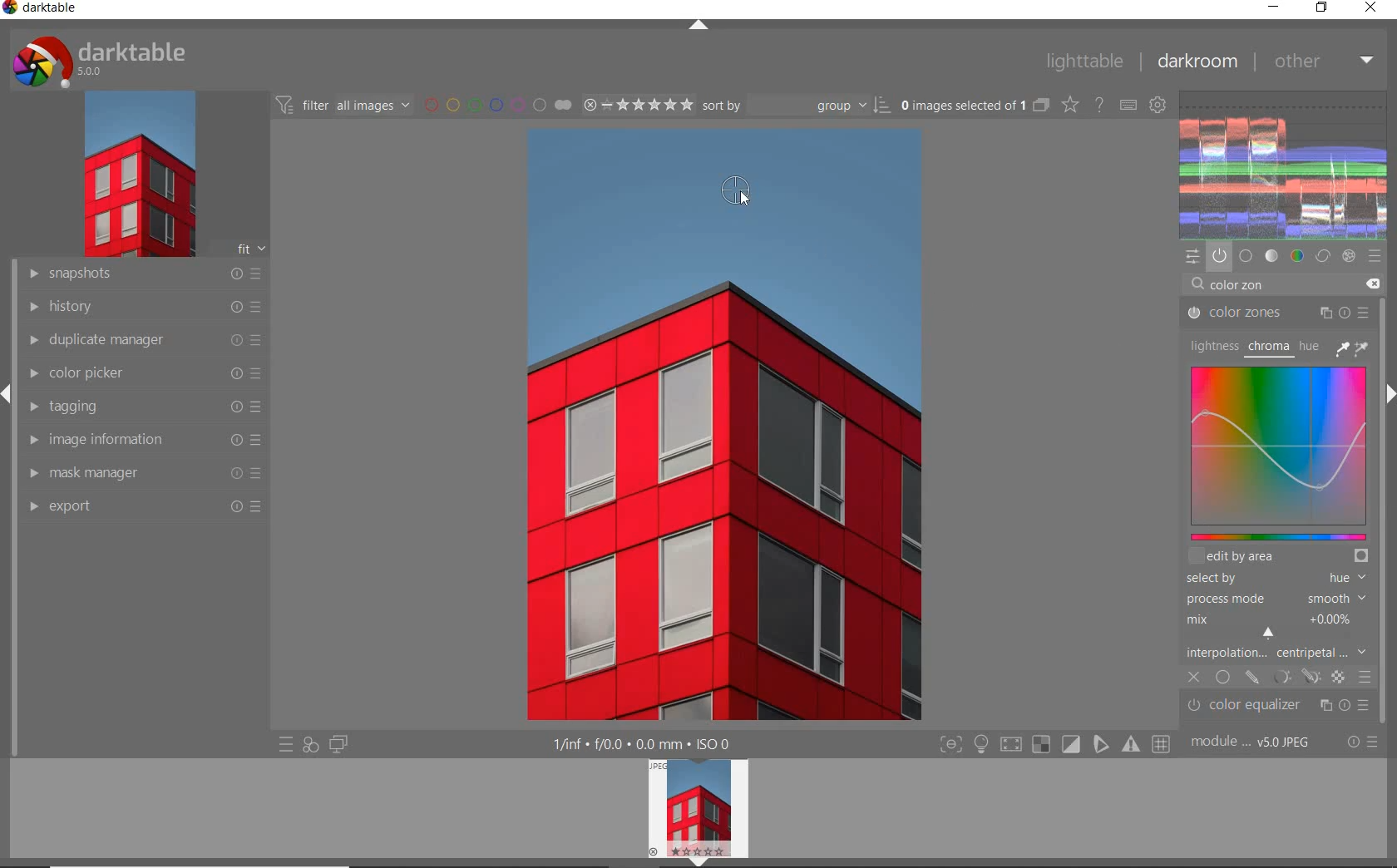 The height and width of the screenshot is (868, 1397). I want to click on image preview, so click(694, 805).